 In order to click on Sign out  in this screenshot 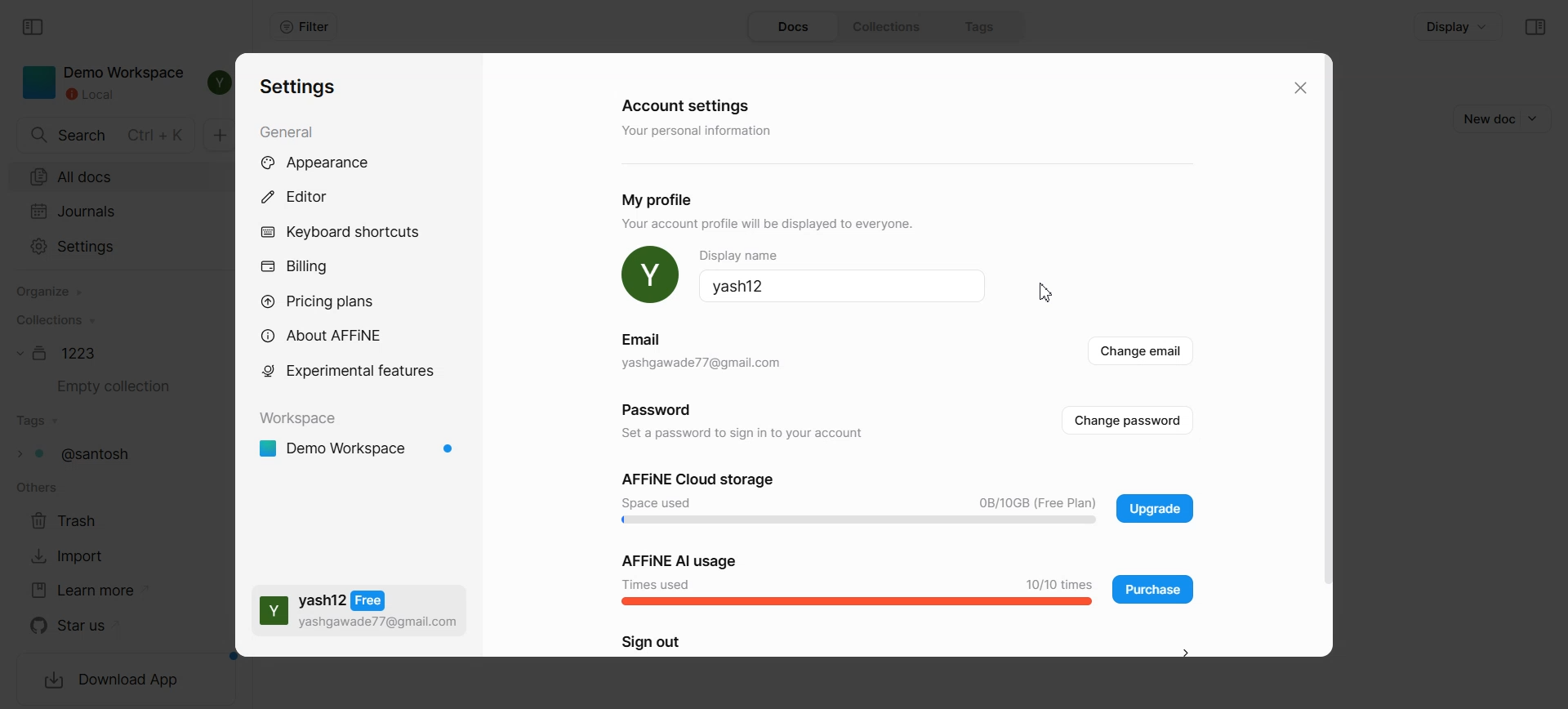, I will do `click(911, 644)`.